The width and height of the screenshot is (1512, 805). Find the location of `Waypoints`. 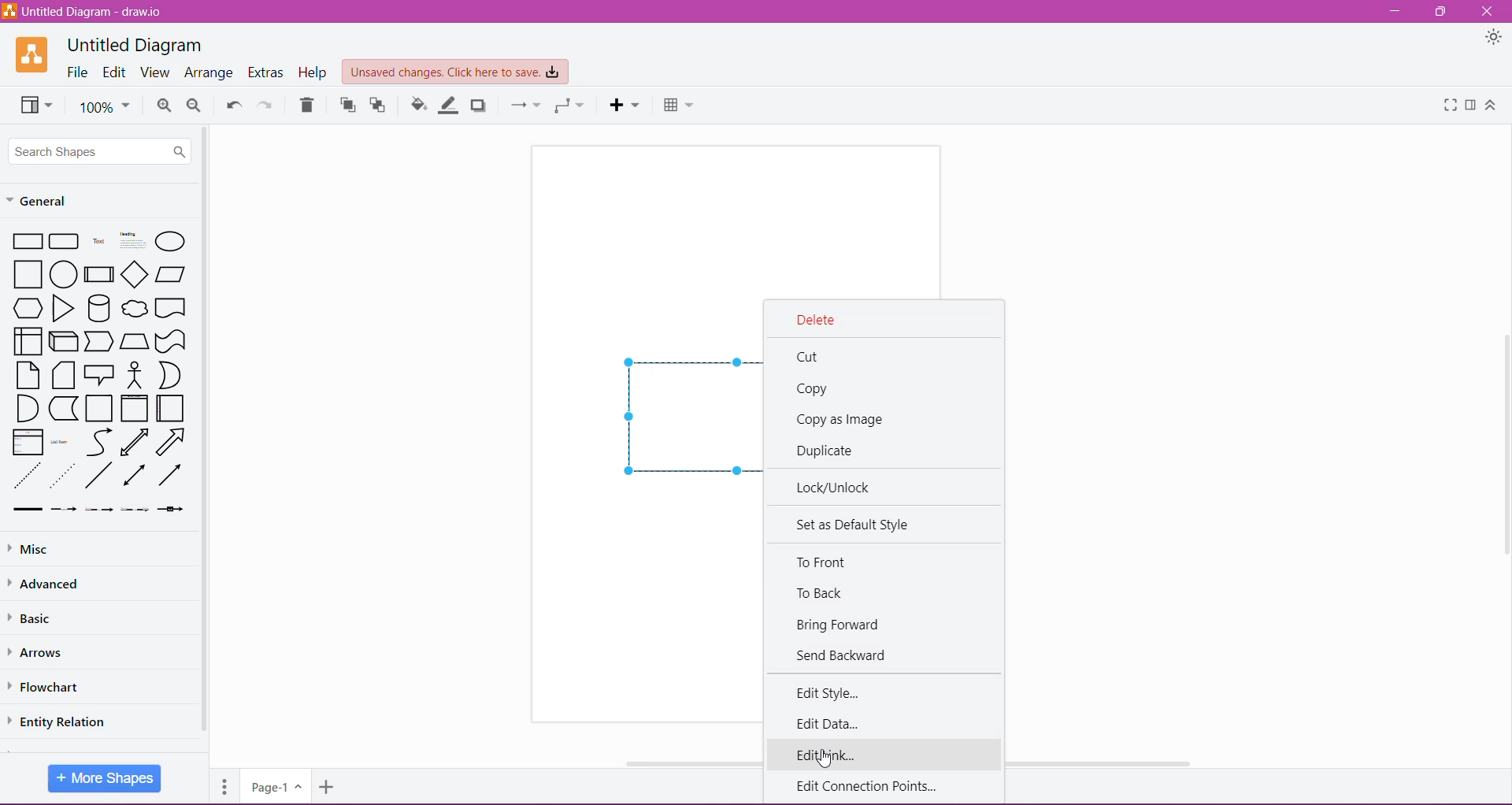

Waypoints is located at coordinates (569, 106).